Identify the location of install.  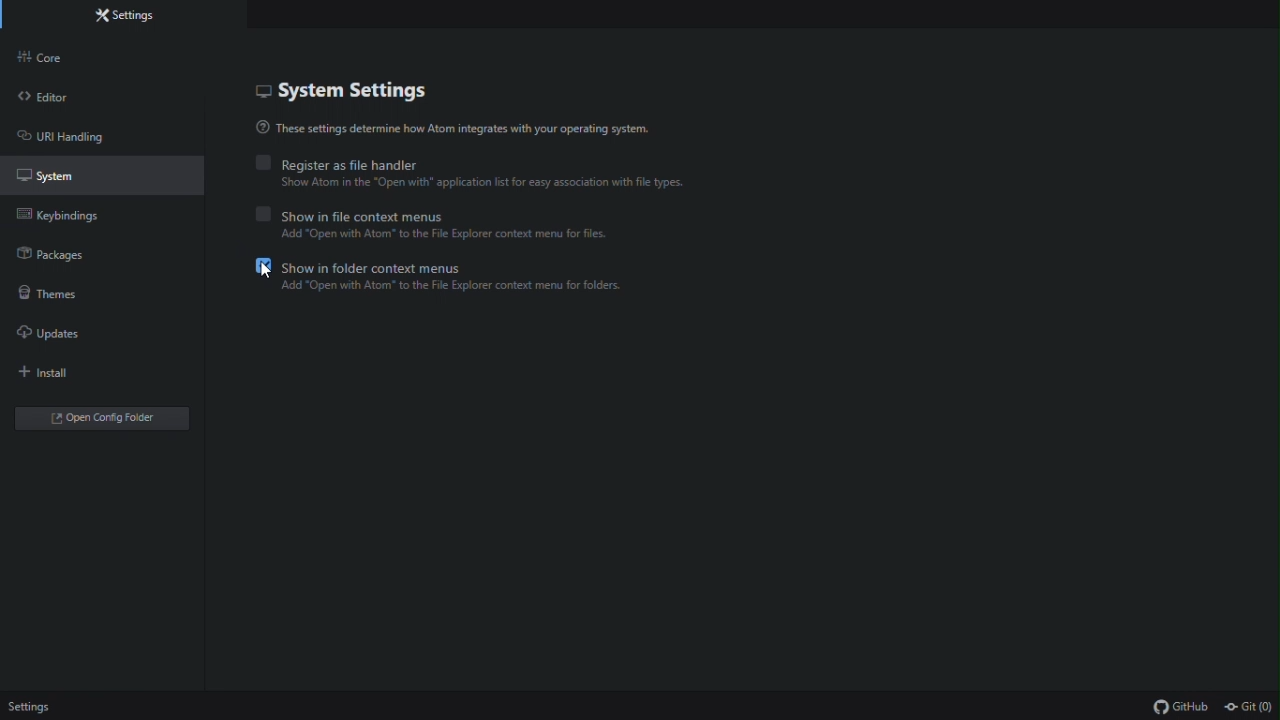
(85, 369).